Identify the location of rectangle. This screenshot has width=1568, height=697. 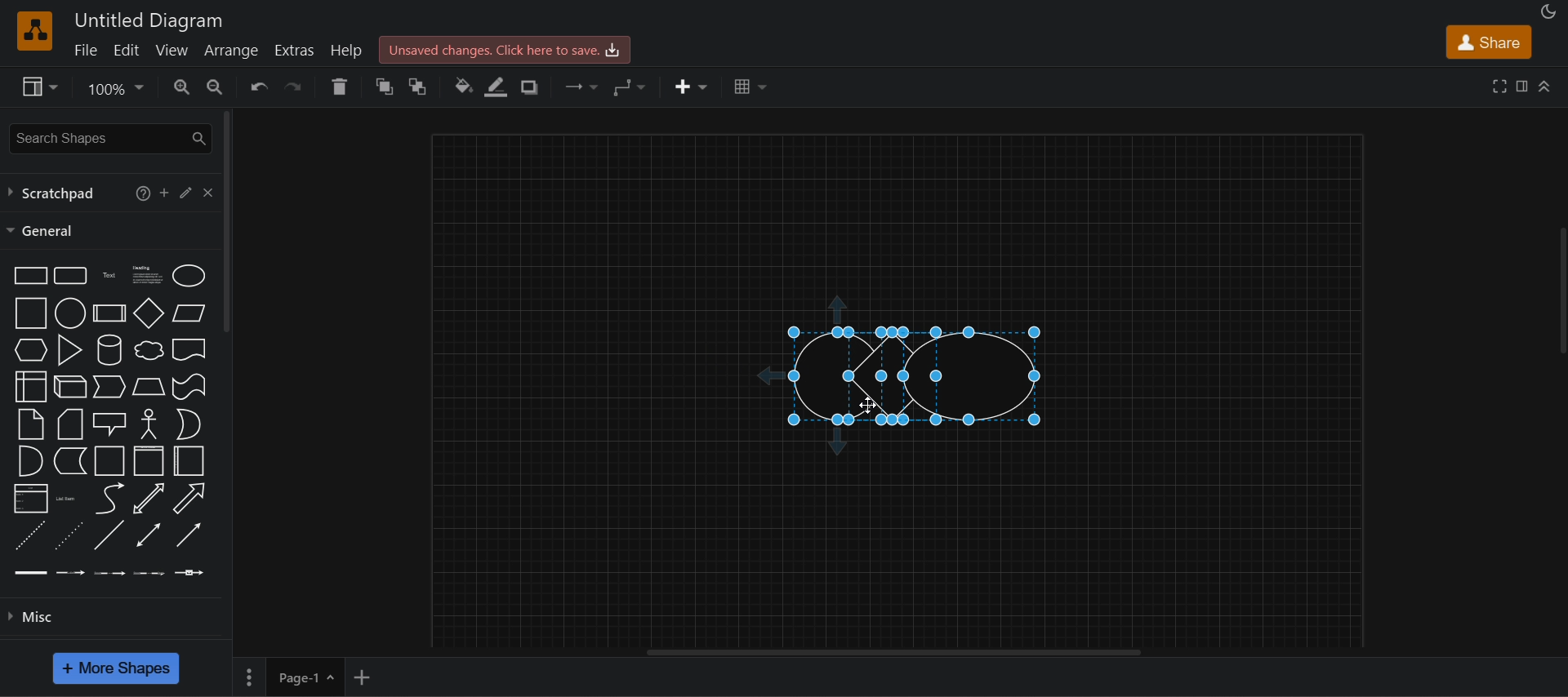
(27, 274).